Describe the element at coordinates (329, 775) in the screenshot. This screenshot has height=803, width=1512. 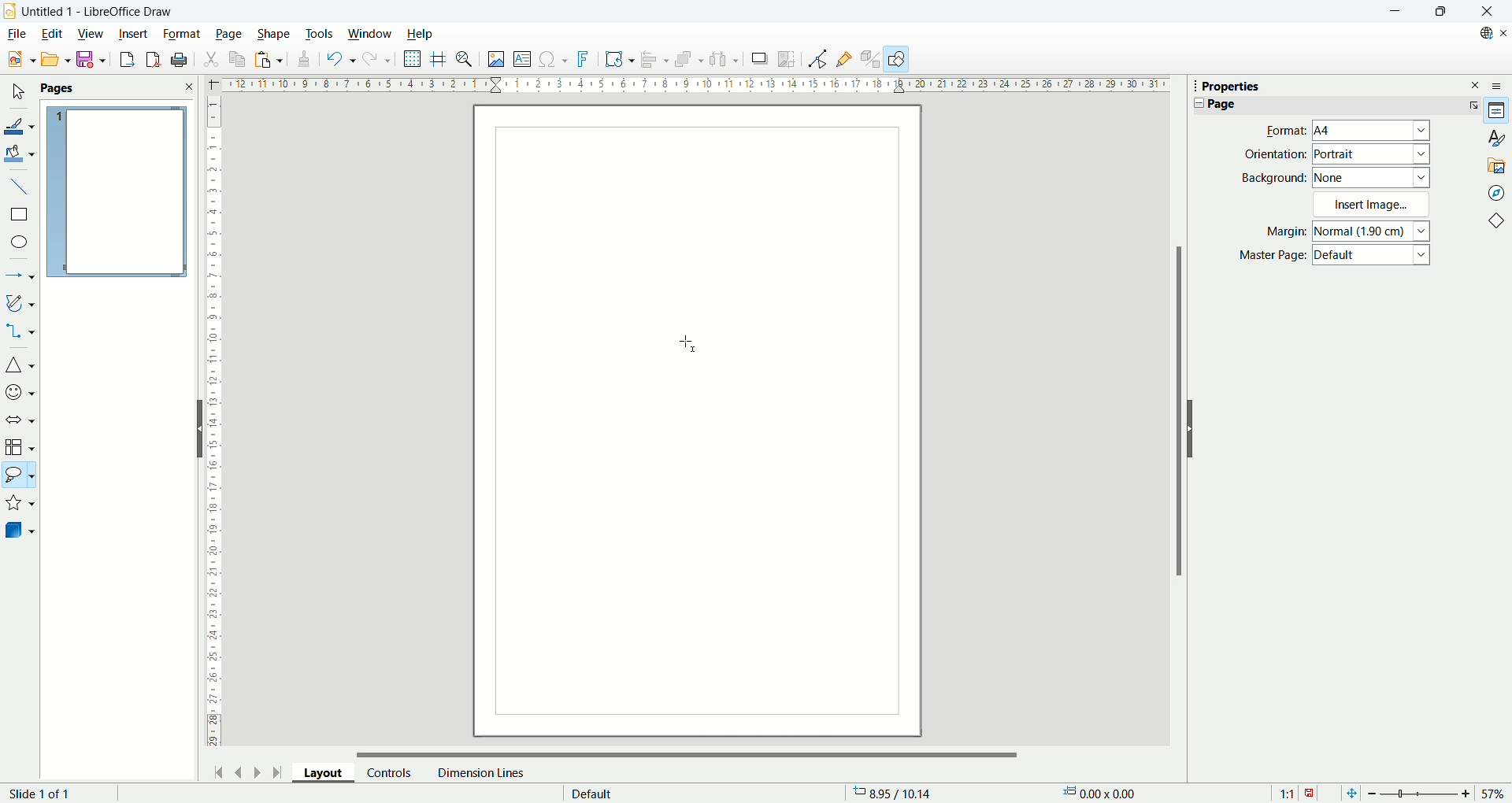
I see `layout` at that location.